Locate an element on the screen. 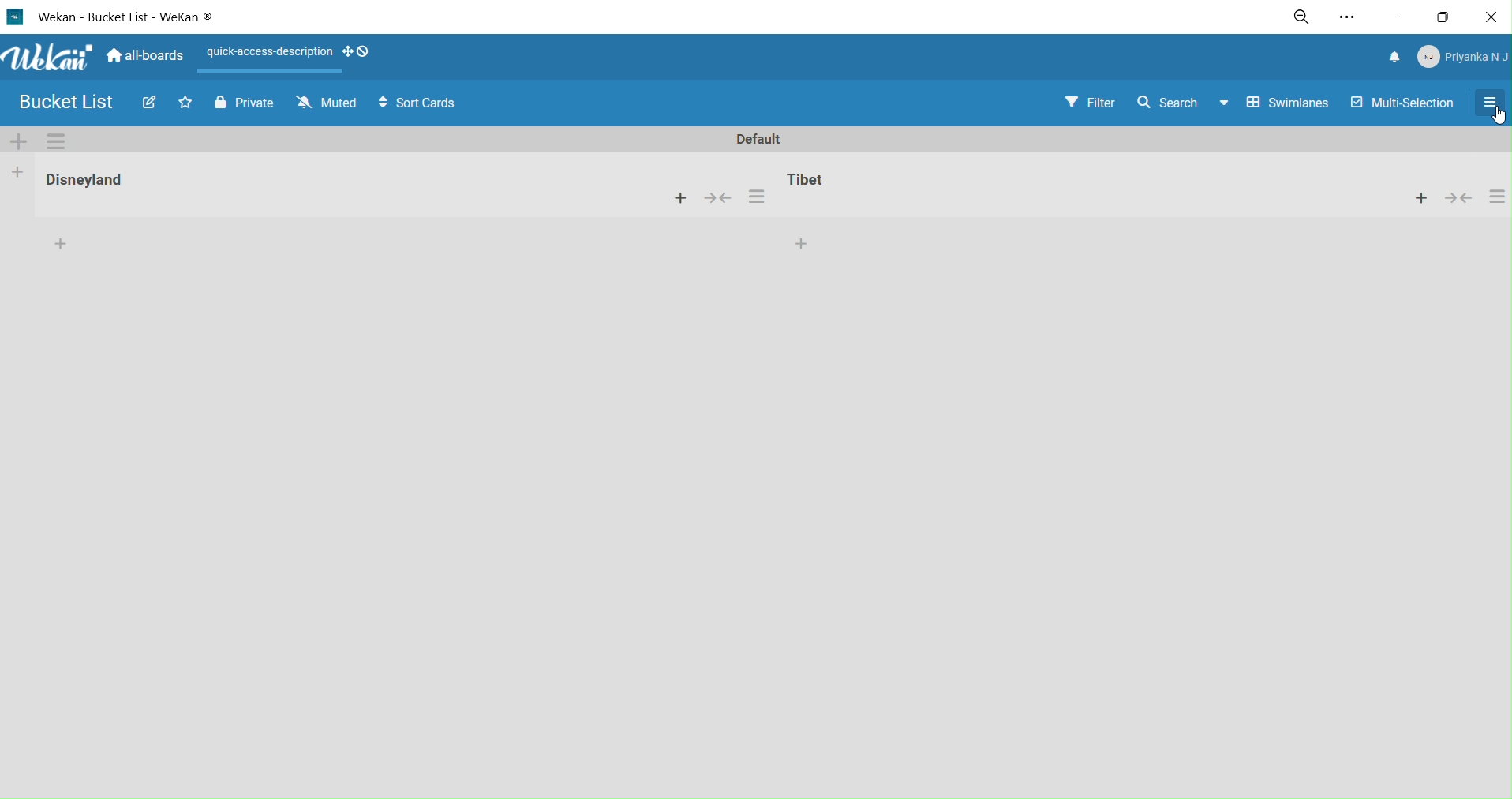  home is located at coordinates (154, 54).